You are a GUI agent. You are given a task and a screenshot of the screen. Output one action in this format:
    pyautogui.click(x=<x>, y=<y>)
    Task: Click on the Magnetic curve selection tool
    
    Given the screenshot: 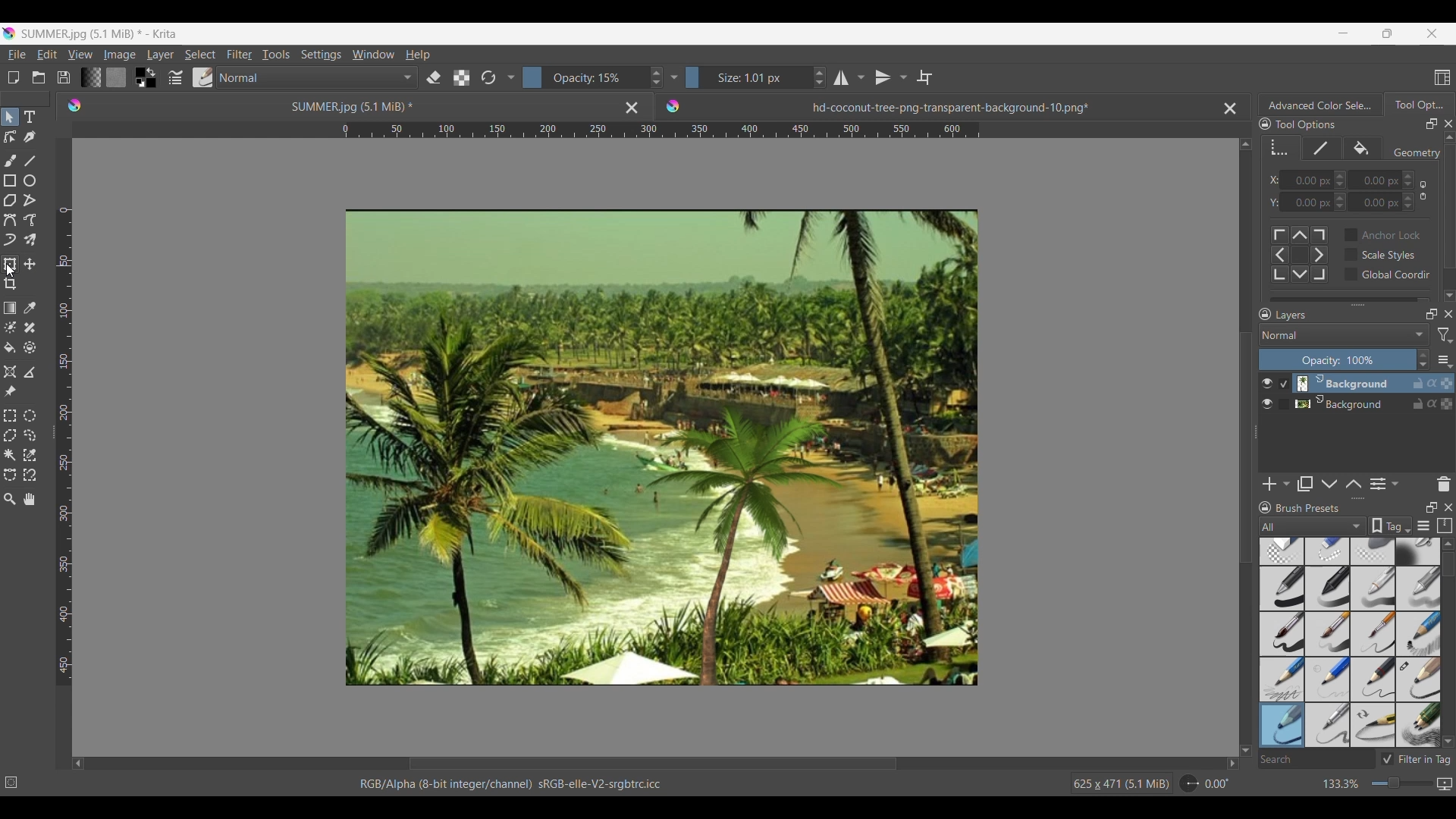 What is the action you would take?
    pyautogui.click(x=30, y=474)
    